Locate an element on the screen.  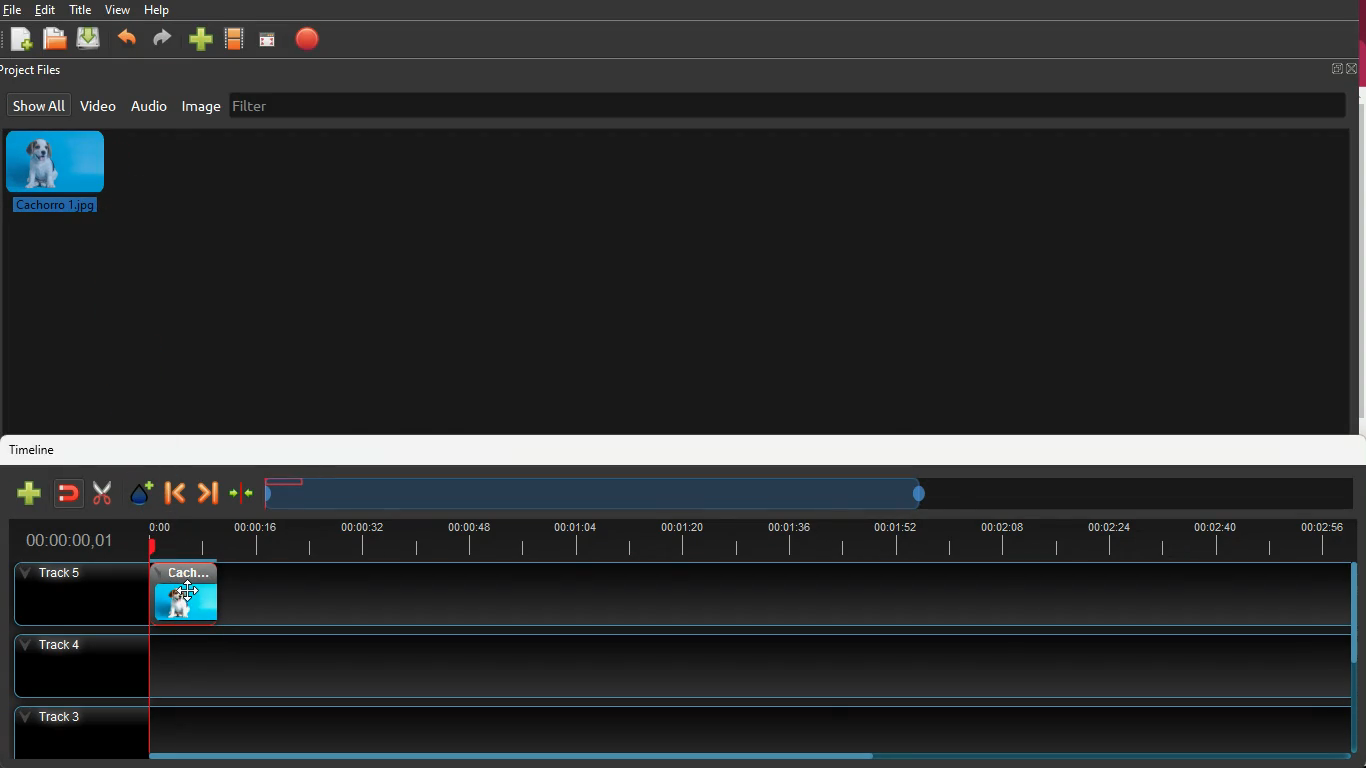
cut is located at coordinates (102, 493).